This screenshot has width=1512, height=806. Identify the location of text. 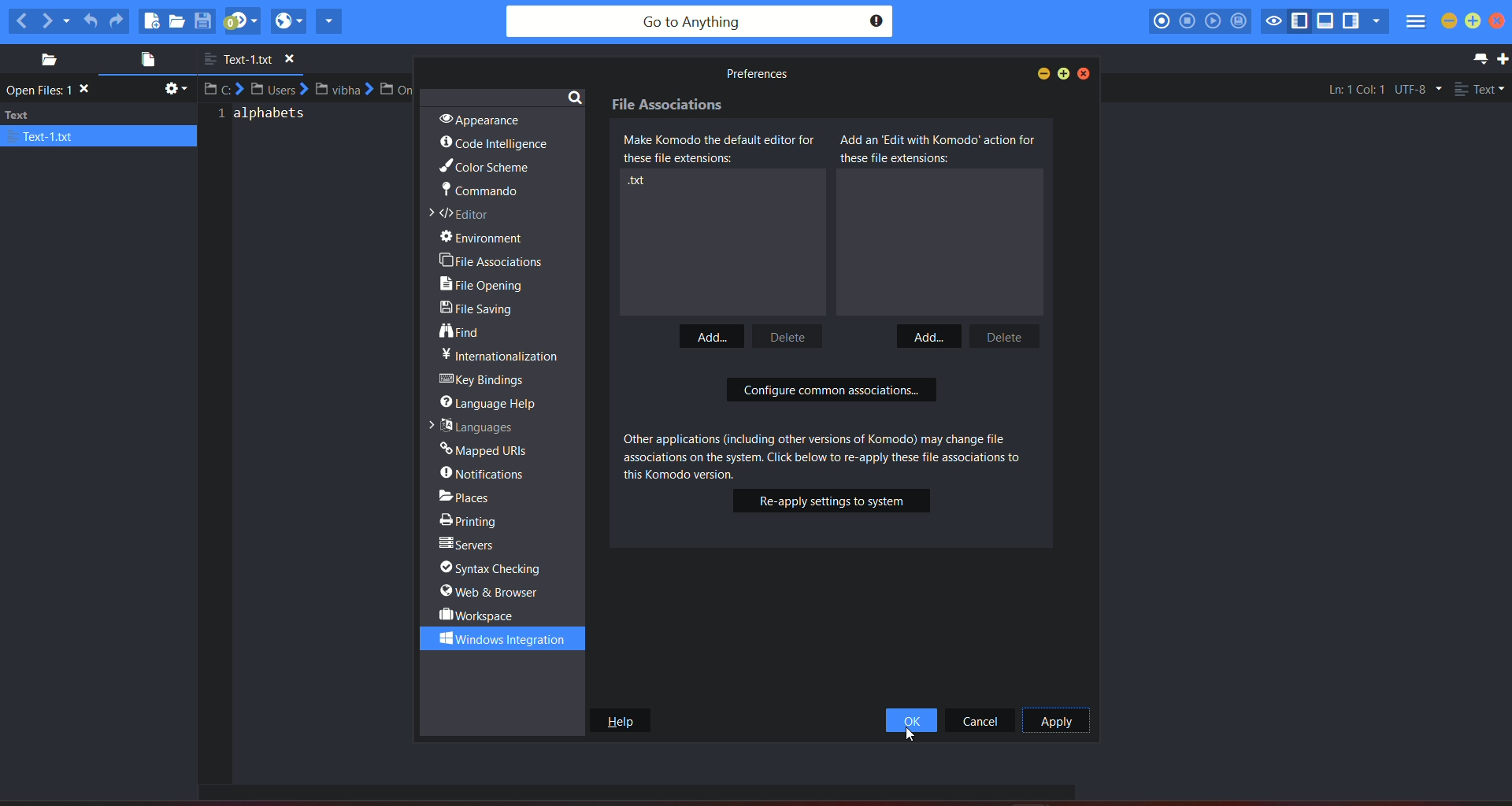
(266, 119).